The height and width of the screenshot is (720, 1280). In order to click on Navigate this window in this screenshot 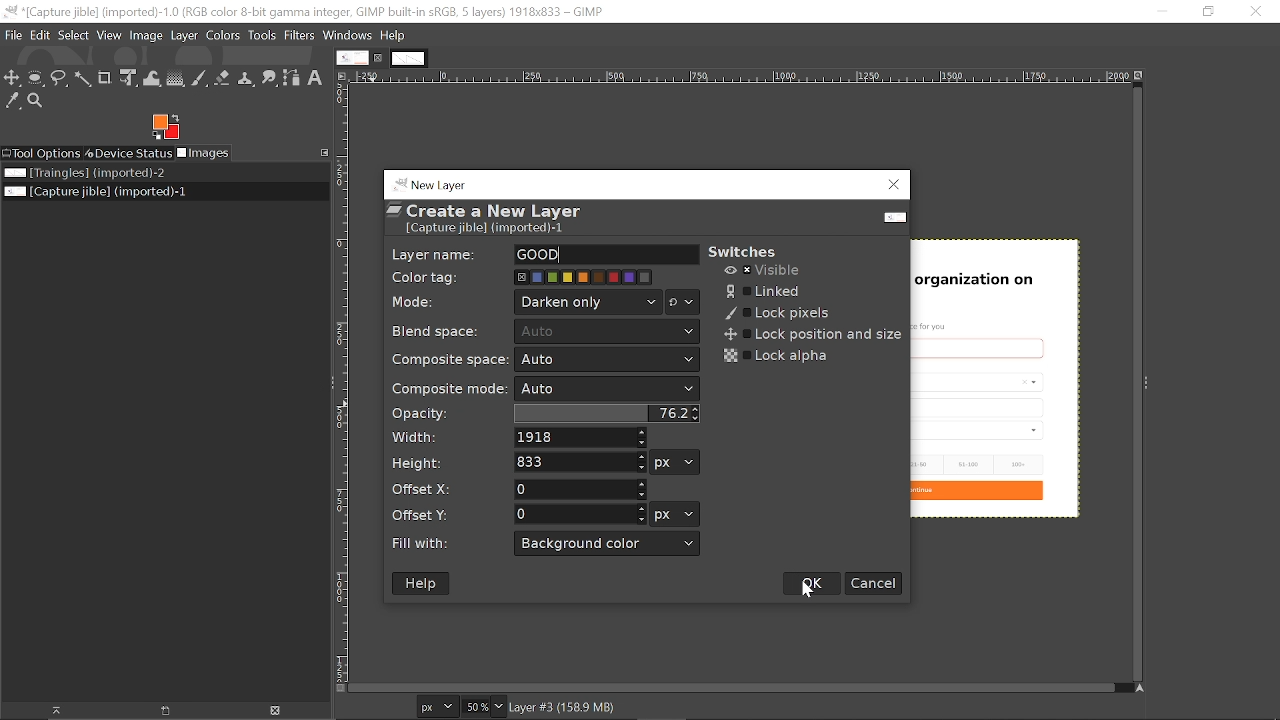, I will do `click(1137, 688)`.